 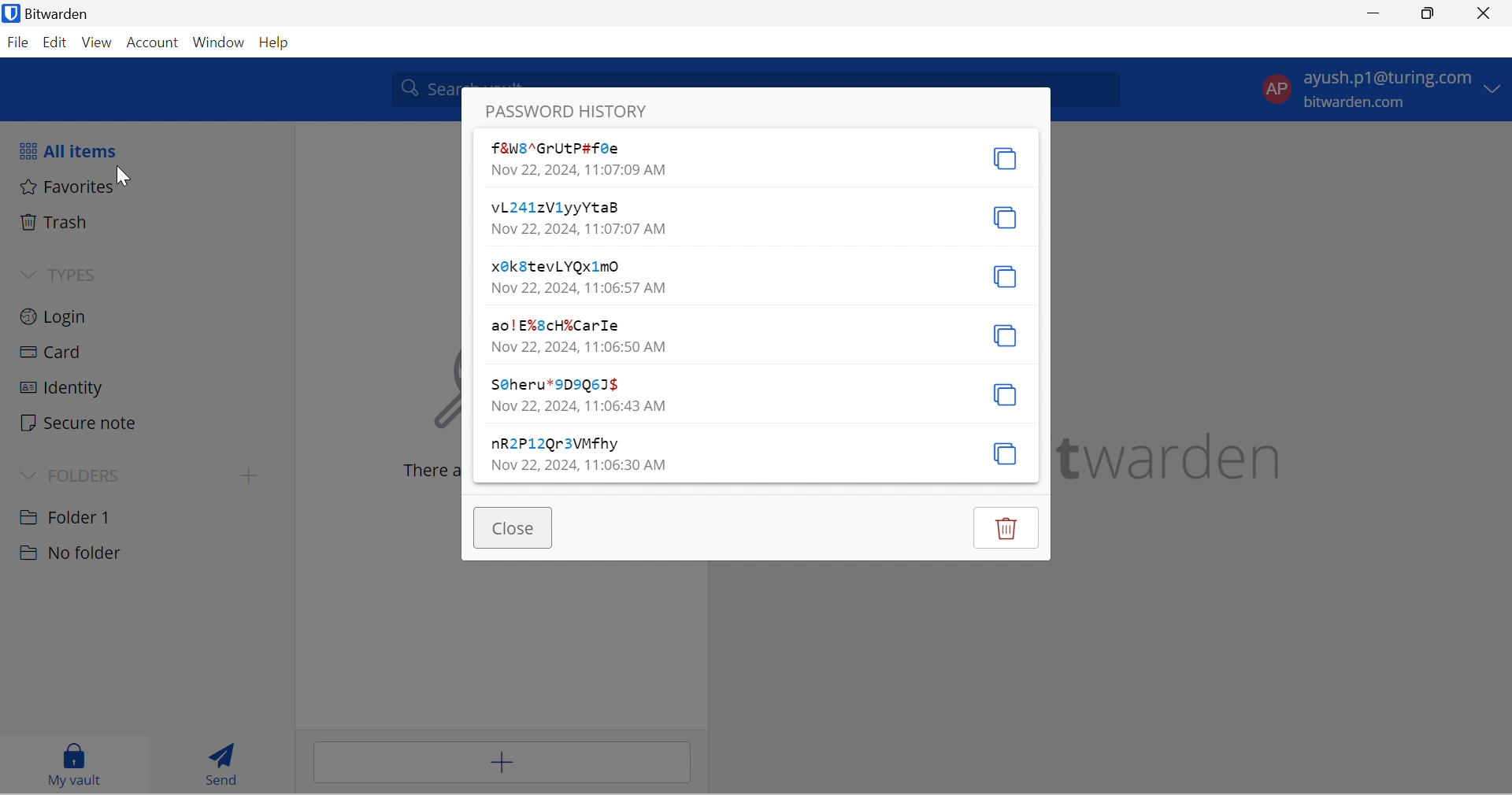 I want to click on Copy, so click(x=1007, y=278).